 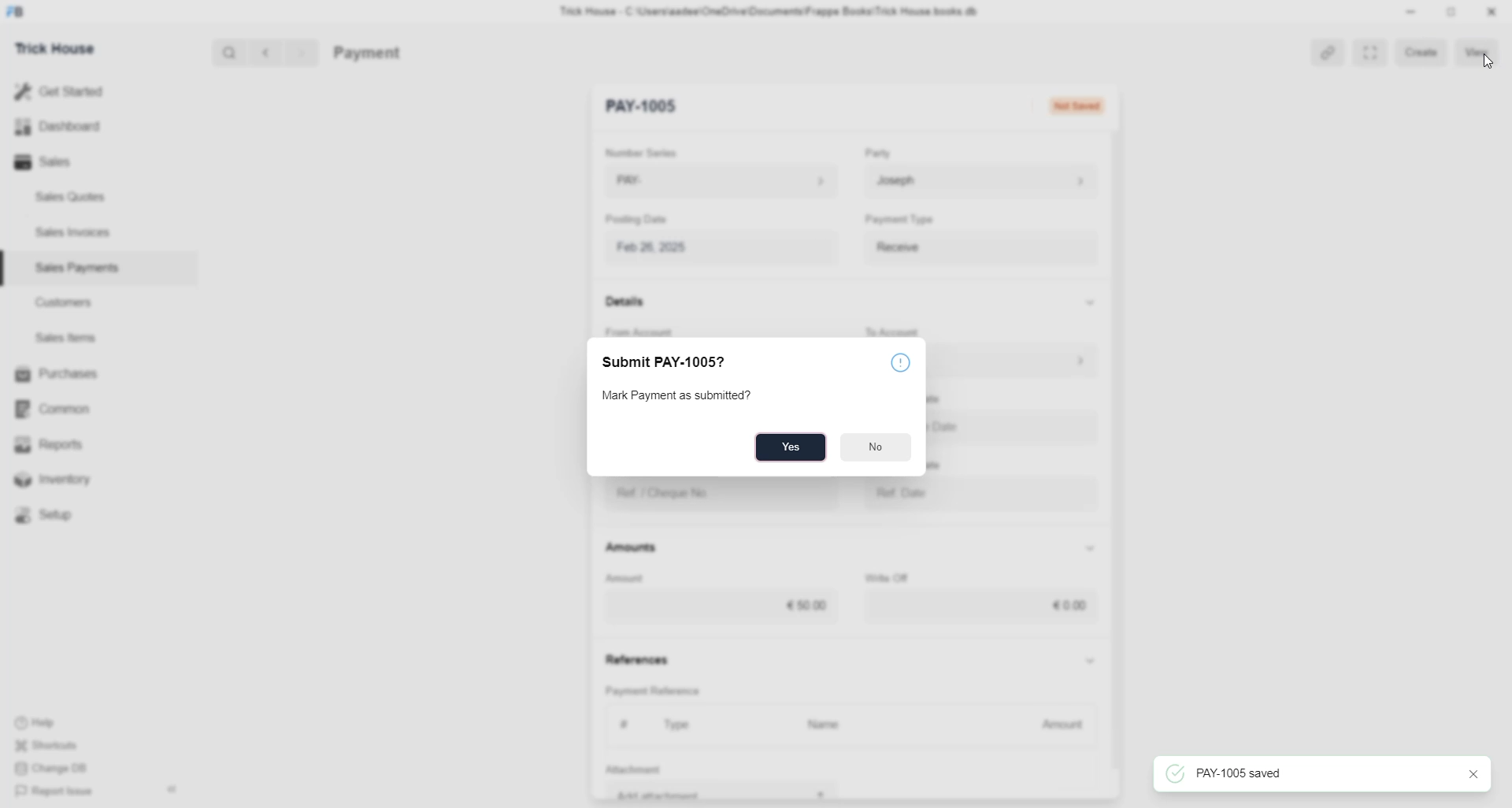 What do you see at coordinates (640, 332) in the screenshot?
I see `From Account` at bounding box center [640, 332].